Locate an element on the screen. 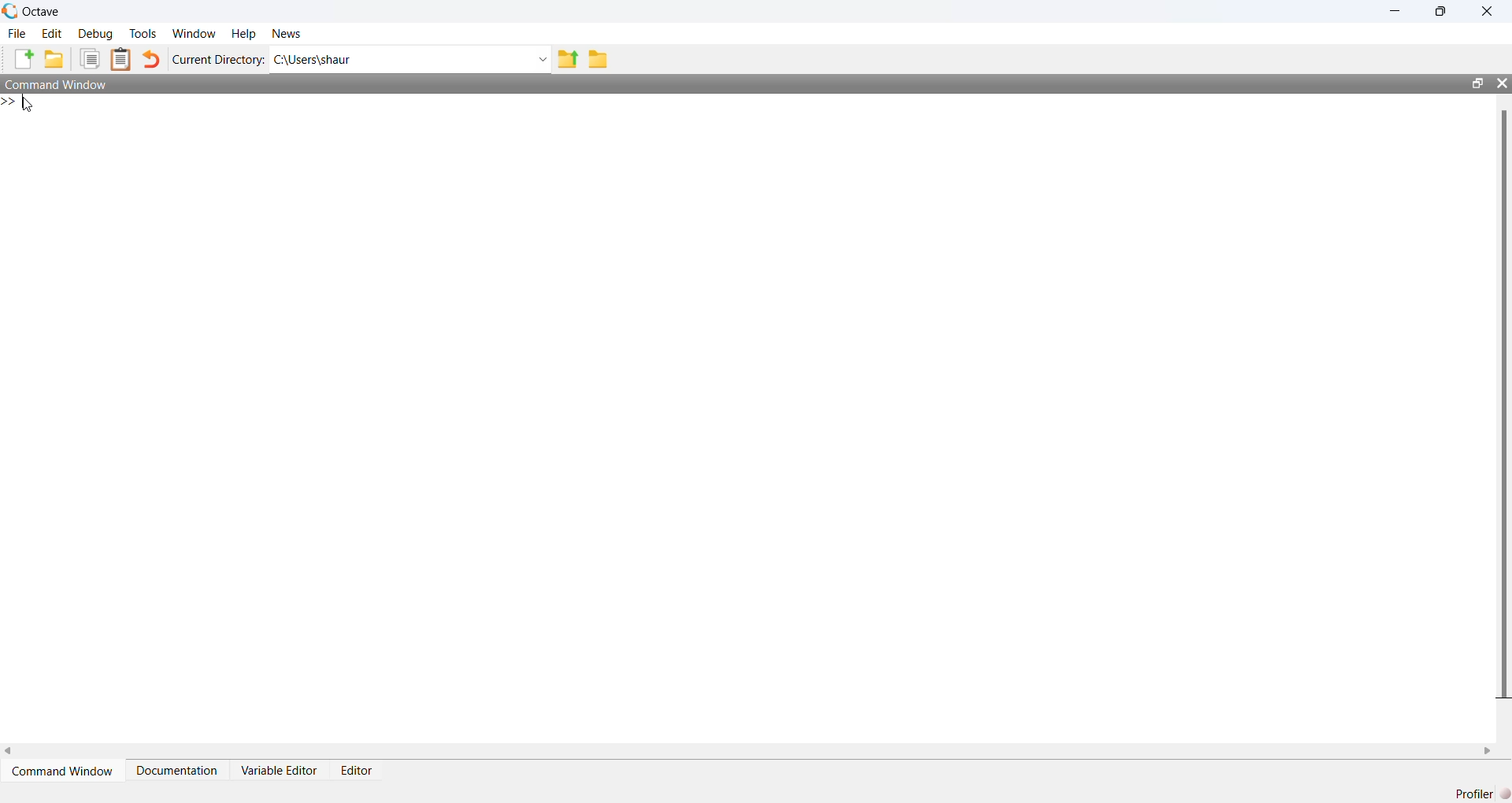  cursor is located at coordinates (28, 105).